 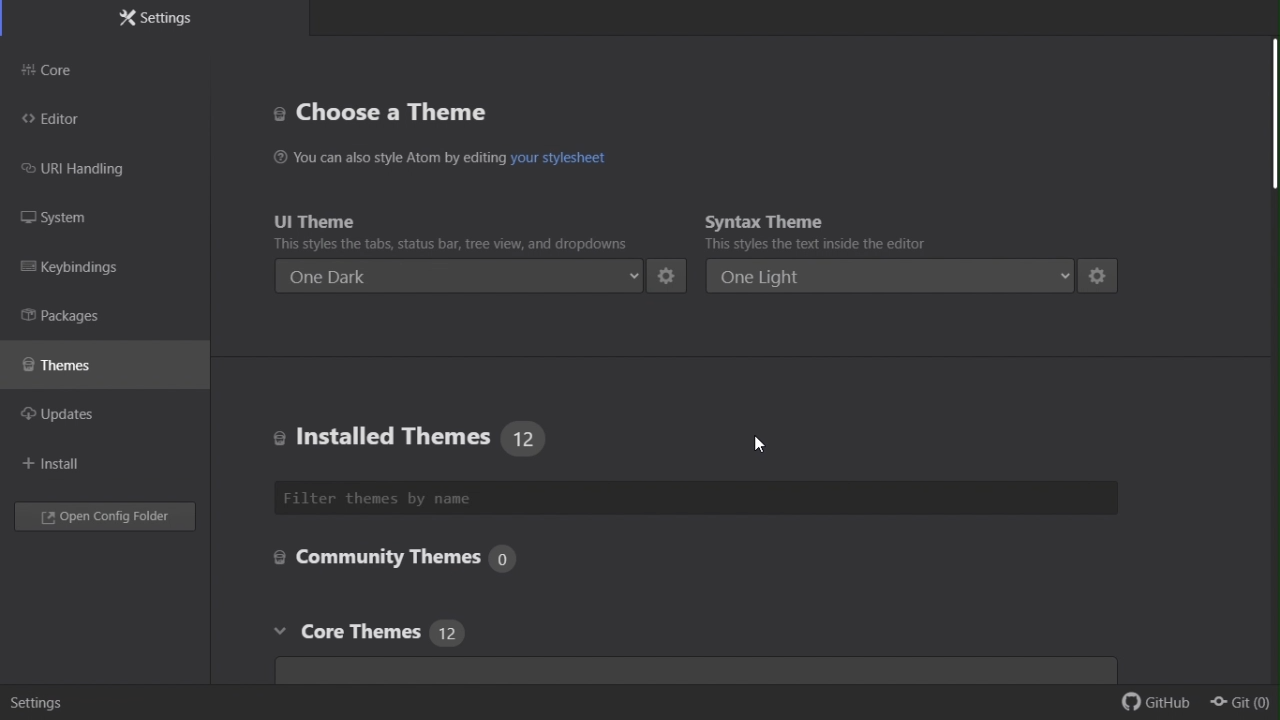 What do you see at coordinates (1271, 113) in the screenshot?
I see `scroll bar` at bounding box center [1271, 113].